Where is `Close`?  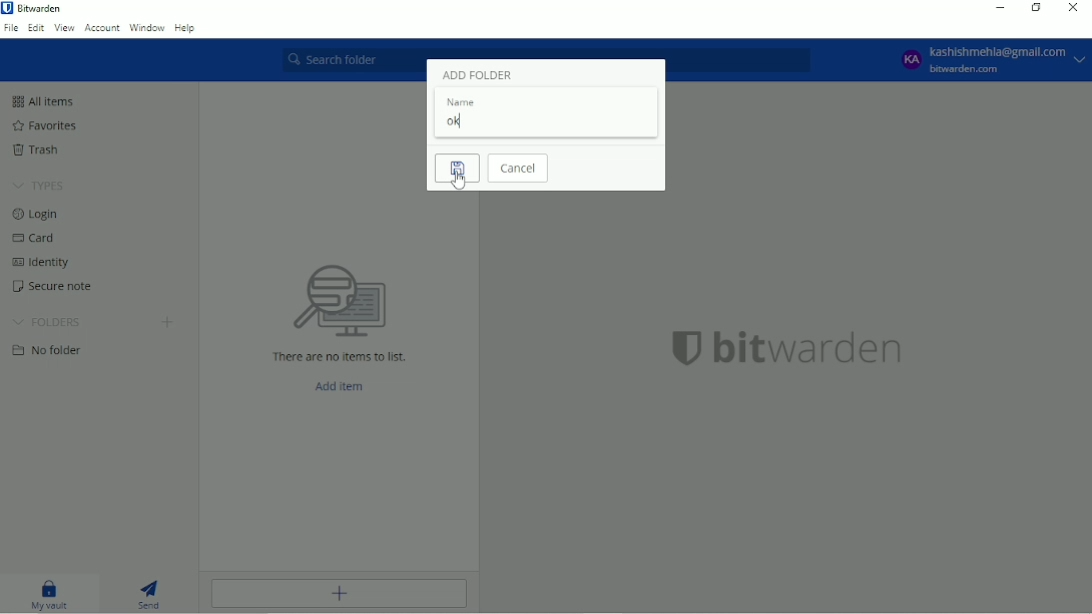
Close is located at coordinates (1073, 8).